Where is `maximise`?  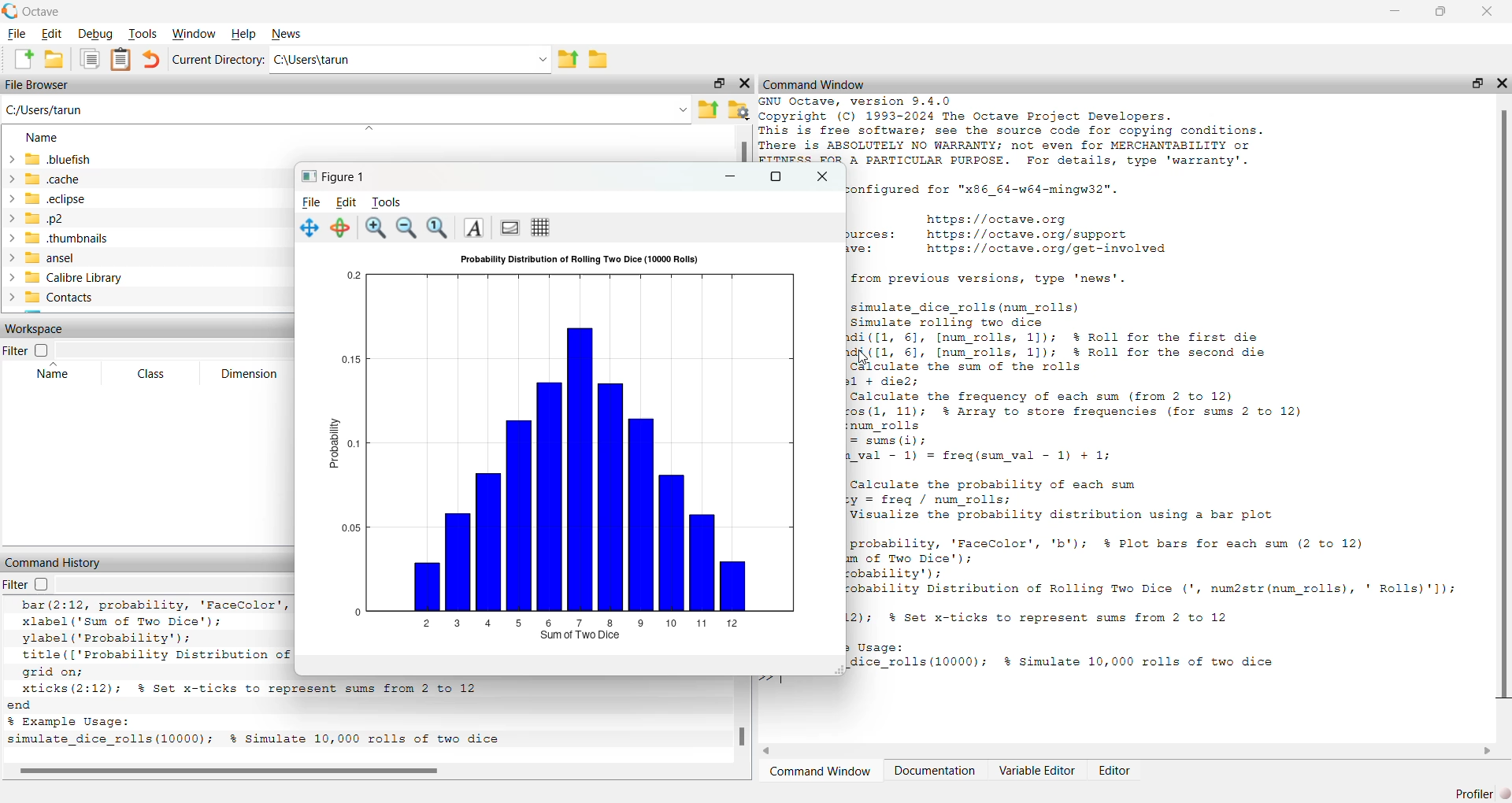 maximise is located at coordinates (1471, 83).